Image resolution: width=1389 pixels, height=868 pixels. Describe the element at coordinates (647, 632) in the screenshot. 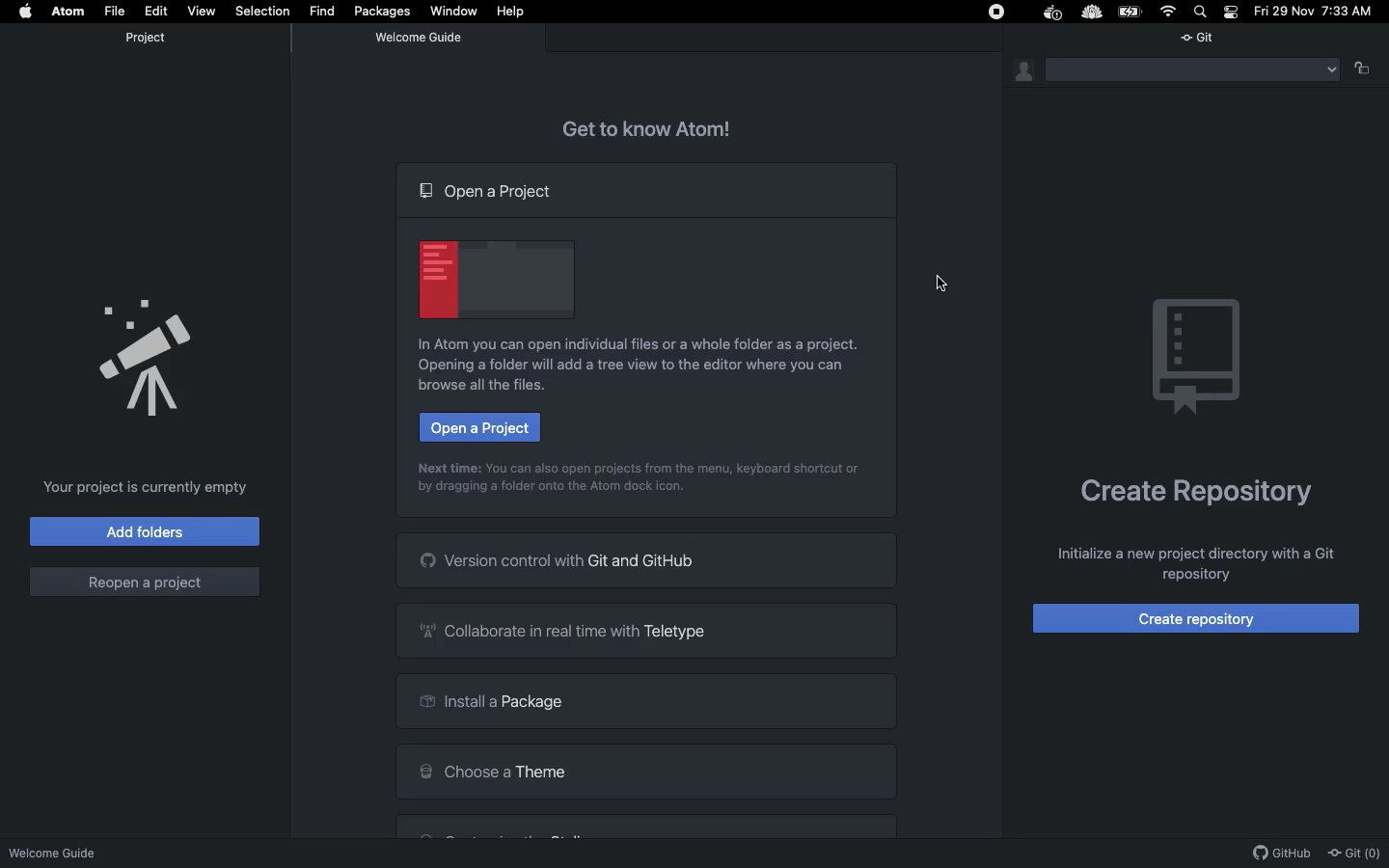

I see `Collaborate in real time with teletype` at that location.